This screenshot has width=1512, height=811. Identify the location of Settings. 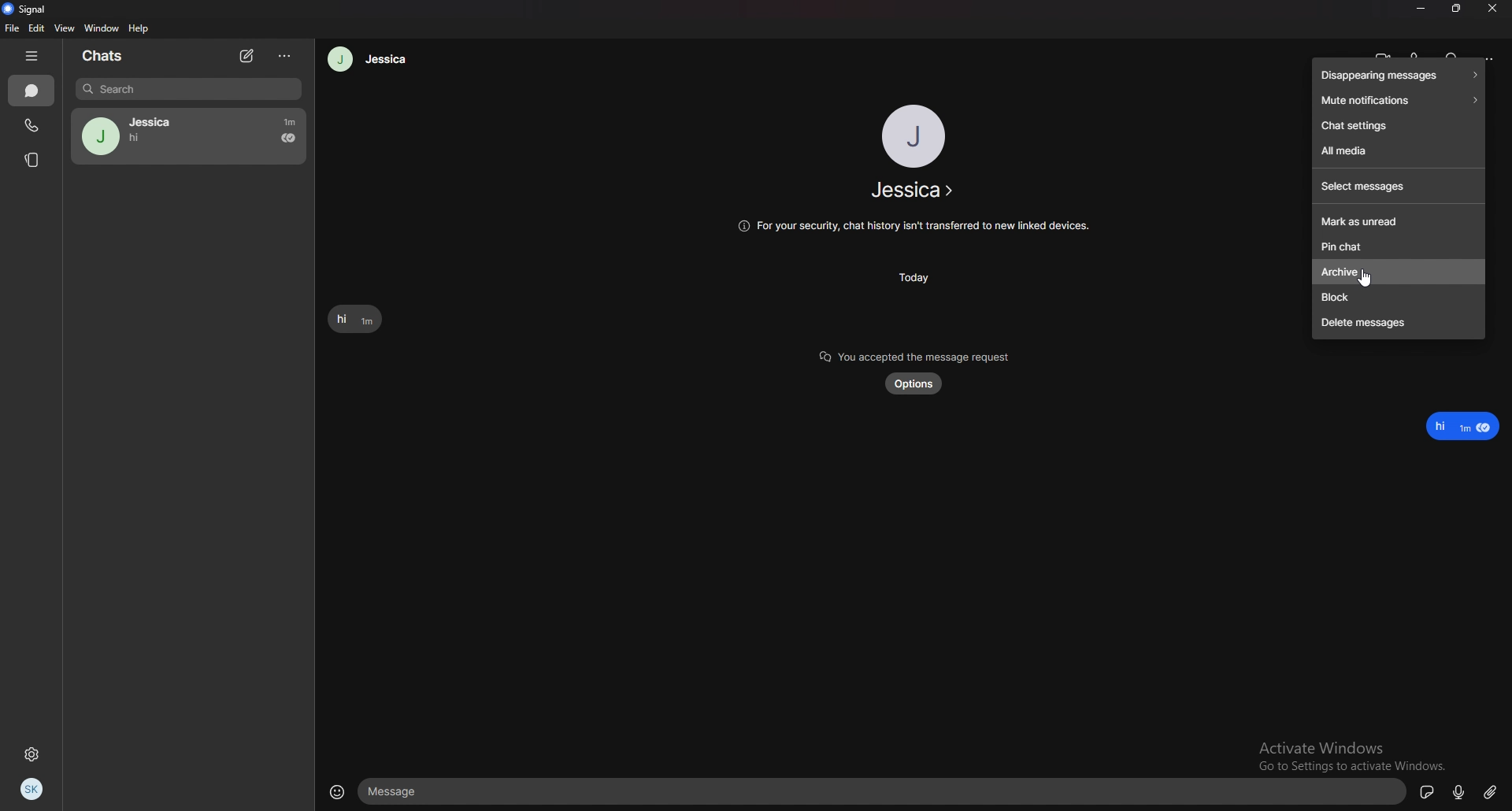
(31, 754).